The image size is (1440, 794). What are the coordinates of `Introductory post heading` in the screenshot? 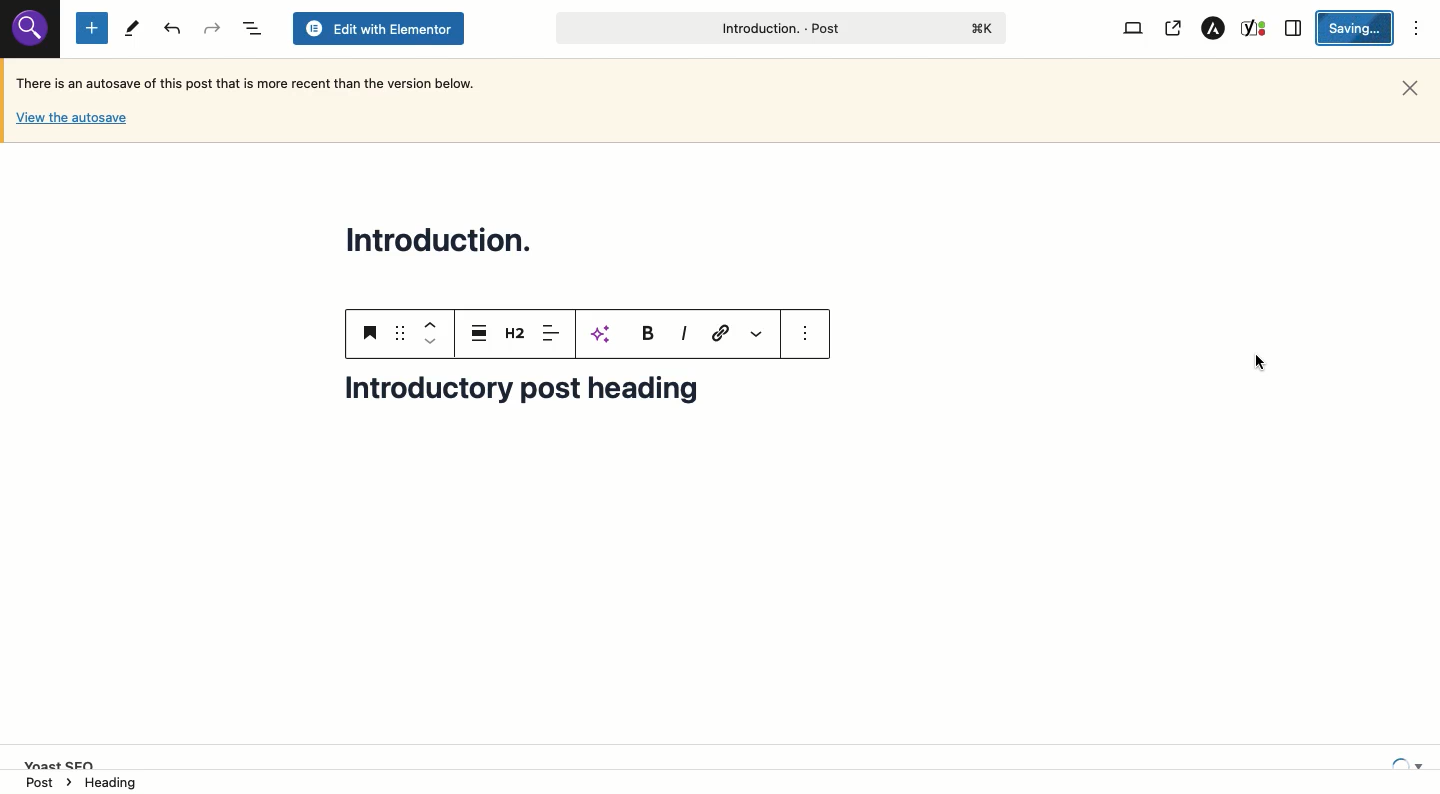 It's located at (537, 399).